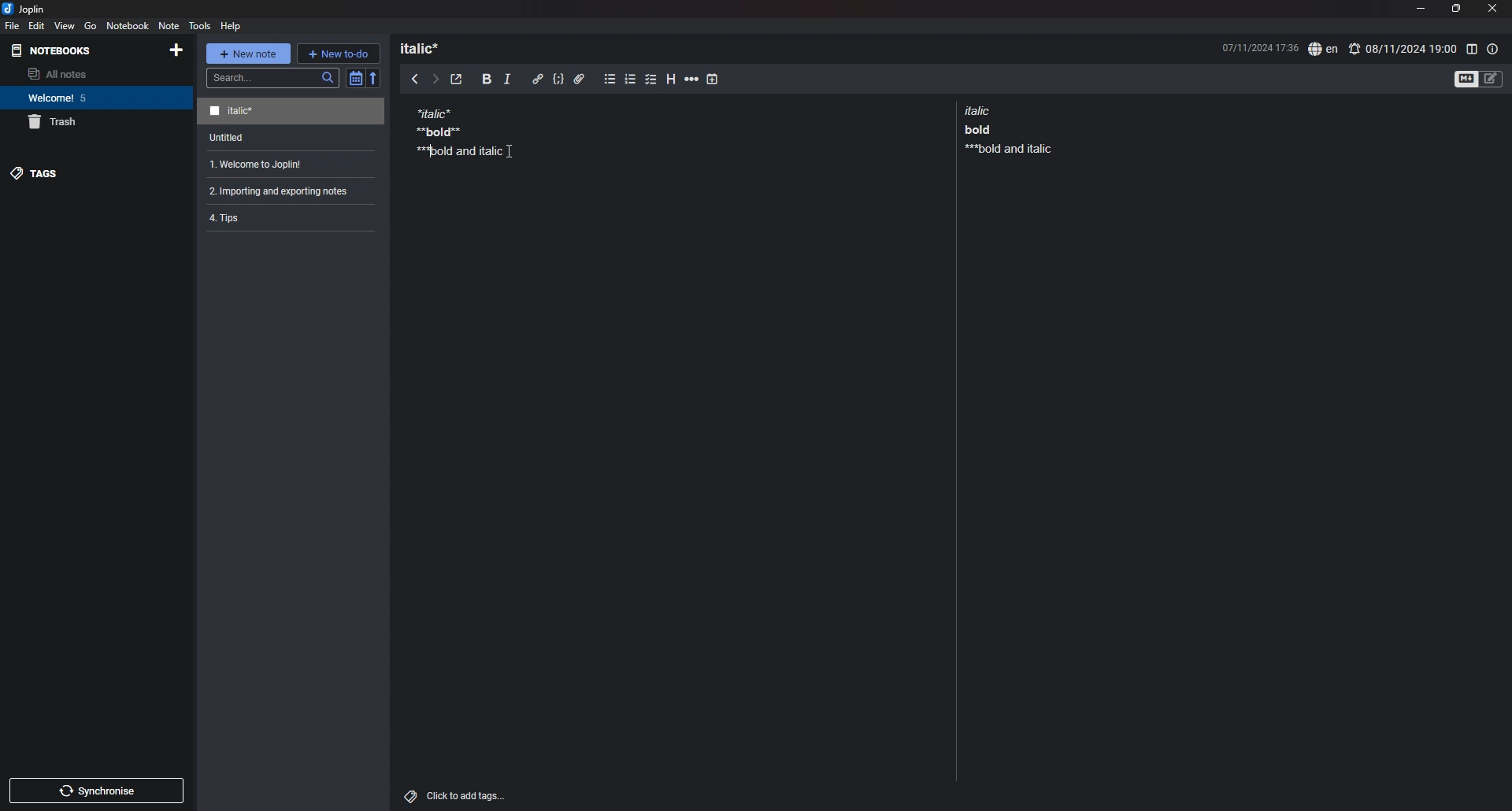  What do you see at coordinates (1323, 50) in the screenshot?
I see `spell check` at bounding box center [1323, 50].